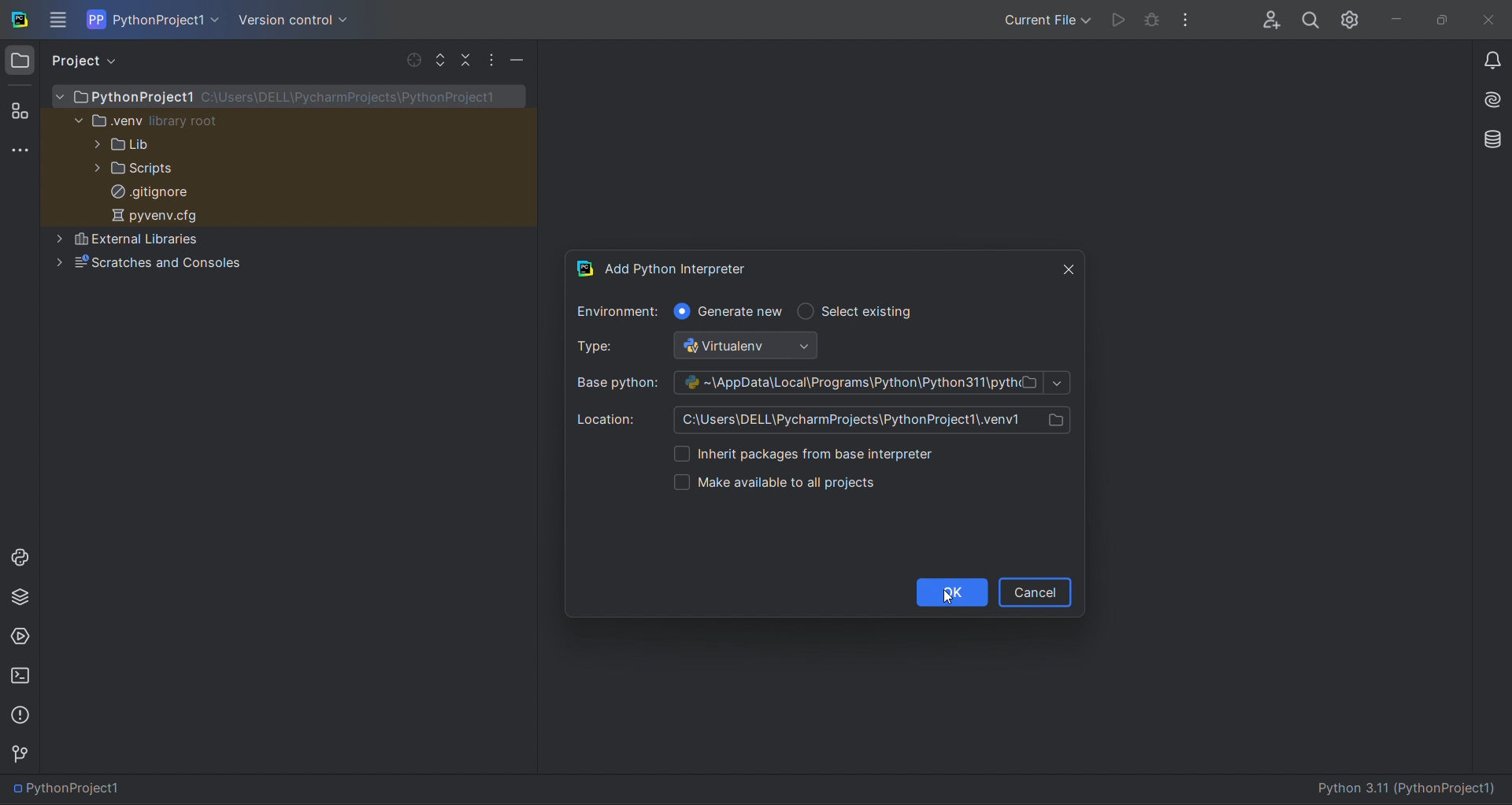 This screenshot has width=1512, height=805. What do you see at coordinates (466, 61) in the screenshot?
I see `collapse file` at bounding box center [466, 61].